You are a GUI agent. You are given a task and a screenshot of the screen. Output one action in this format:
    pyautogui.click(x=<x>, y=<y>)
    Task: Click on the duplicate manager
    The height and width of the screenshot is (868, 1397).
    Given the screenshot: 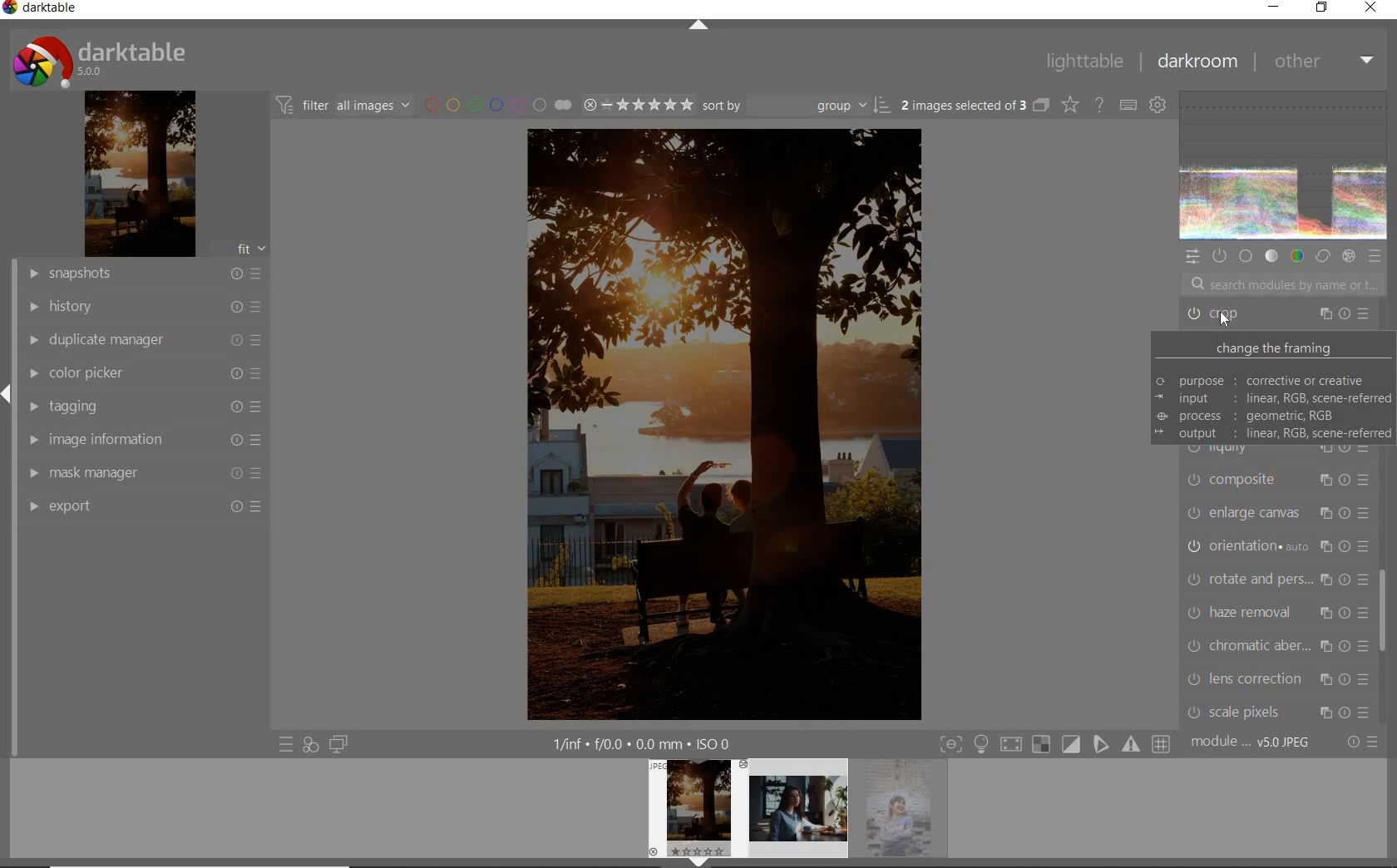 What is the action you would take?
    pyautogui.click(x=144, y=339)
    